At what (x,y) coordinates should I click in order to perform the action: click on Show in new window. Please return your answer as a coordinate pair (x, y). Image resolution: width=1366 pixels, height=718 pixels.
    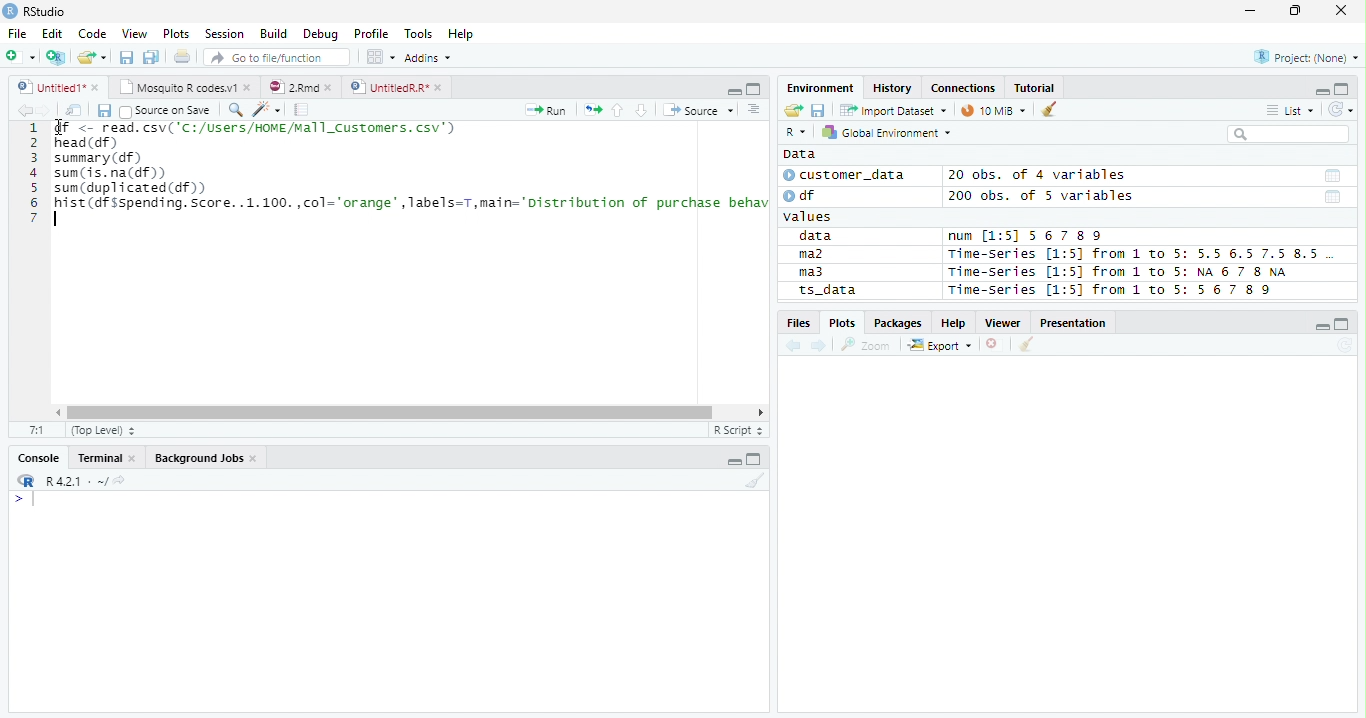
    Looking at the image, I should click on (75, 110).